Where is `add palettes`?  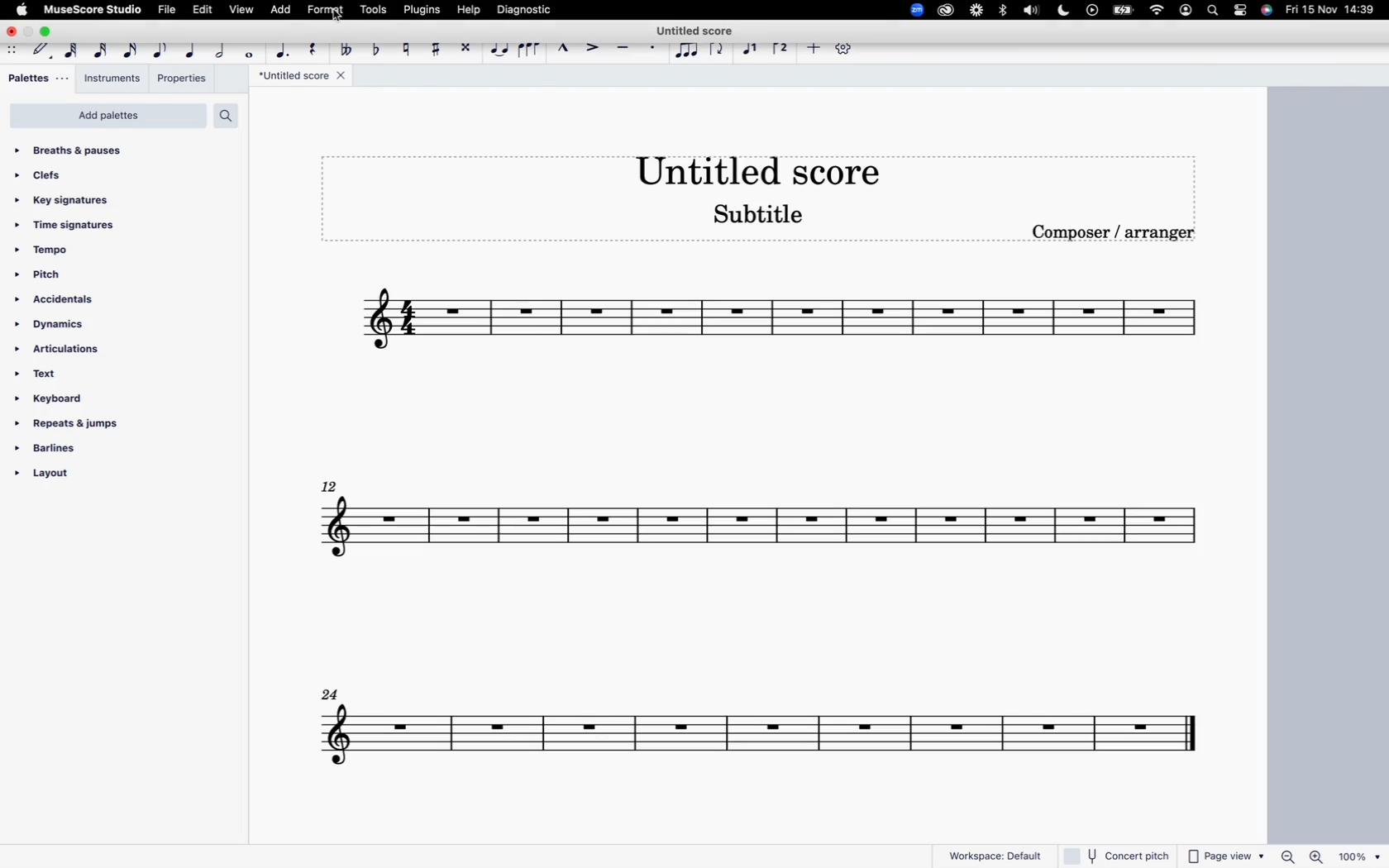
add palettes is located at coordinates (107, 117).